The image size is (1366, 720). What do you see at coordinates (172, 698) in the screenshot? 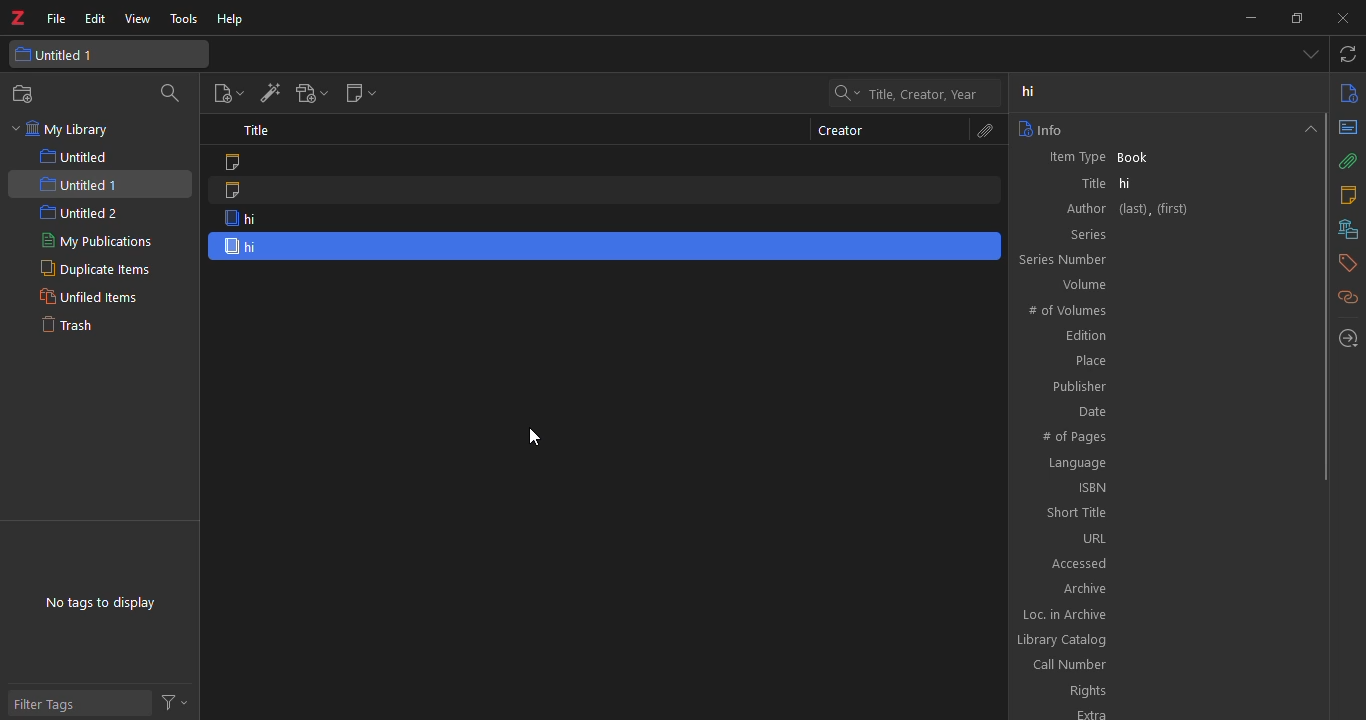
I see `actions` at bounding box center [172, 698].